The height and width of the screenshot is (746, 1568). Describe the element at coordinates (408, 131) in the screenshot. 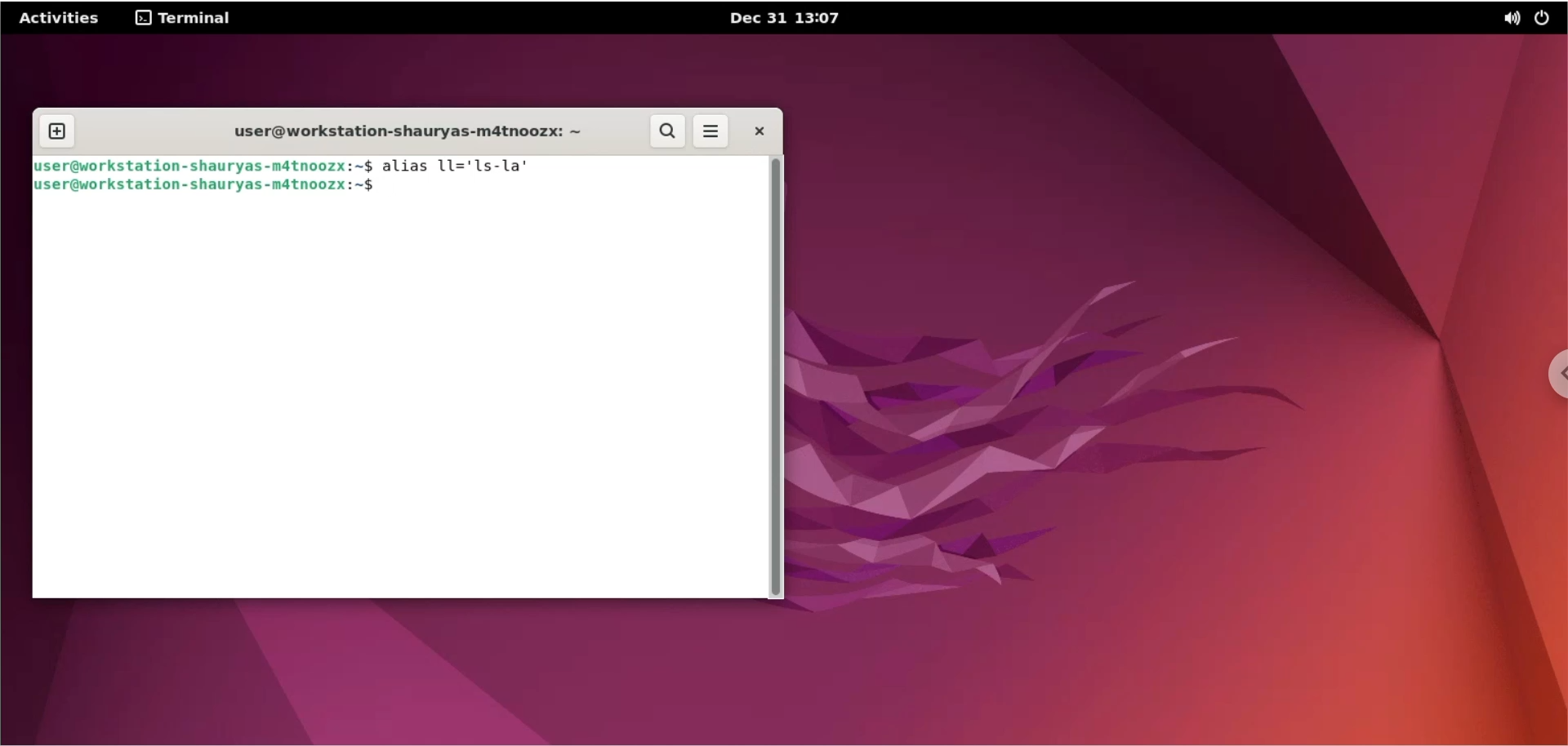

I see `user@workstation-shauryas-m4tnoozx: ~` at that location.